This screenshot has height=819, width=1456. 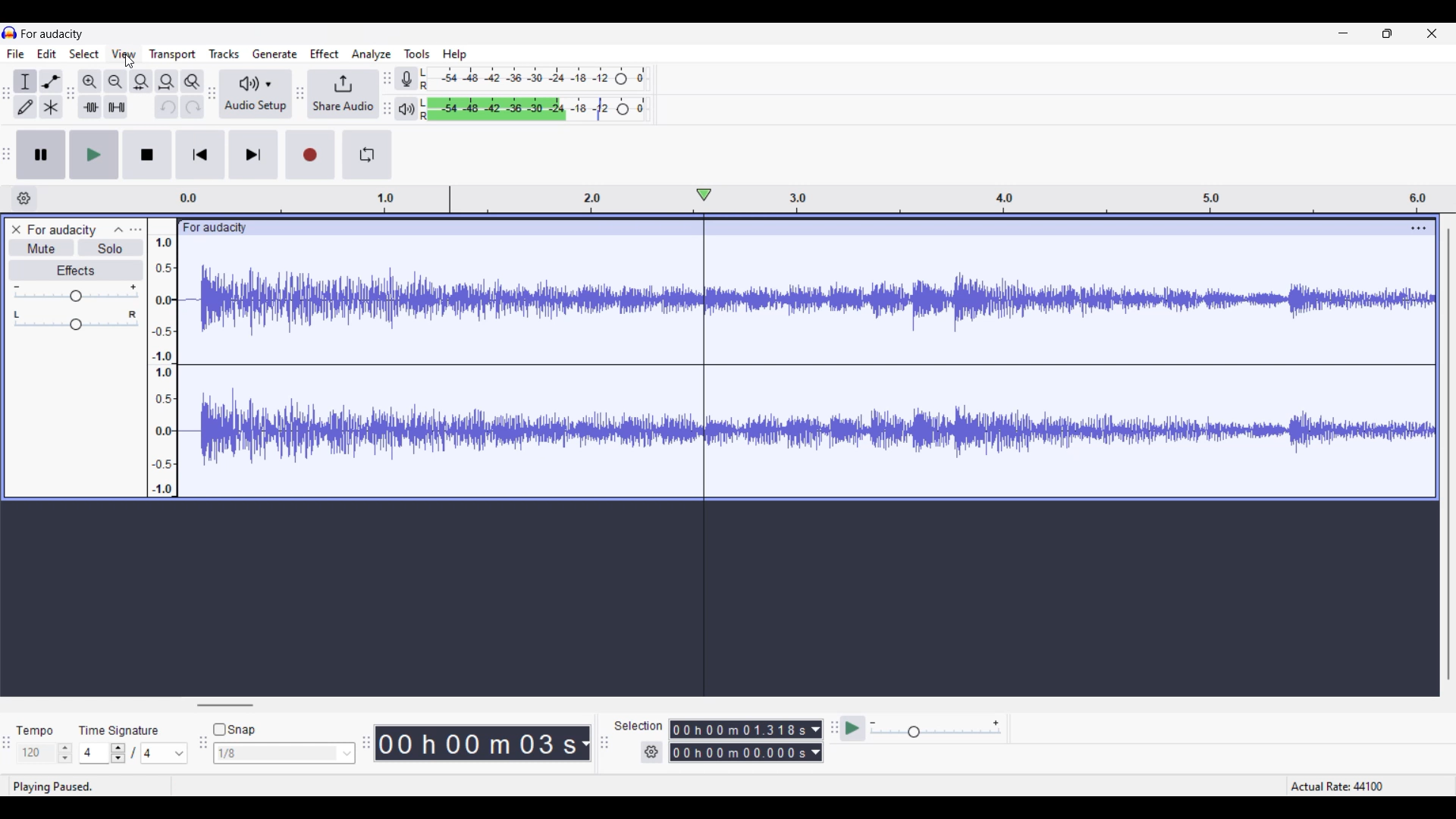 What do you see at coordinates (119, 230) in the screenshot?
I see `Collapse` at bounding box center [119, 230].